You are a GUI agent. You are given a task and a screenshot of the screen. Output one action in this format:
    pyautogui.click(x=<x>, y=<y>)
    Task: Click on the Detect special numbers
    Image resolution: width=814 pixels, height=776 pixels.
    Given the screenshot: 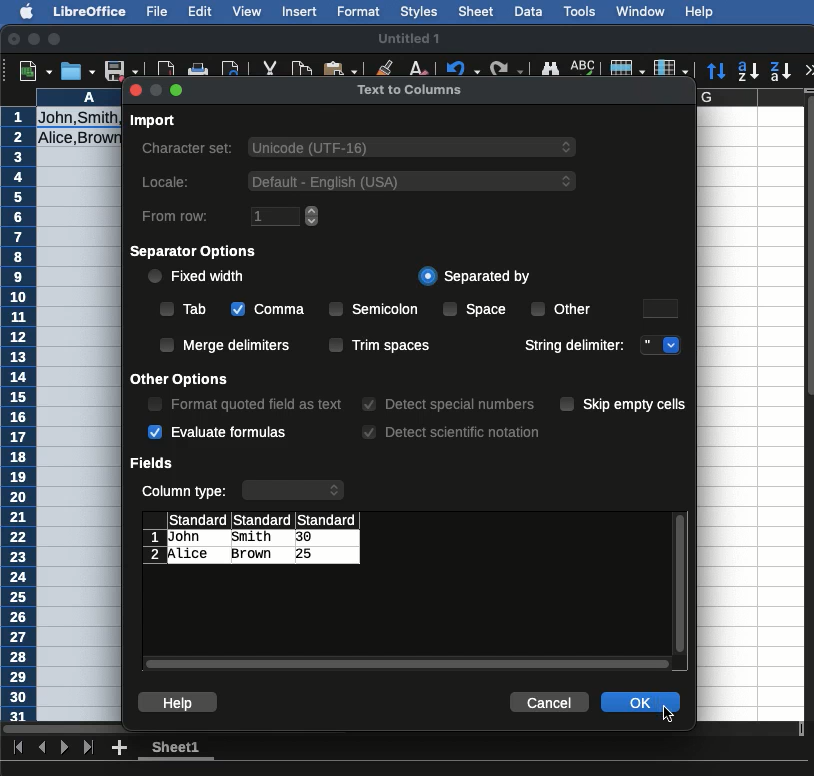 What is the action you would take?
    pyautogui.click(x=448, y=405)
    